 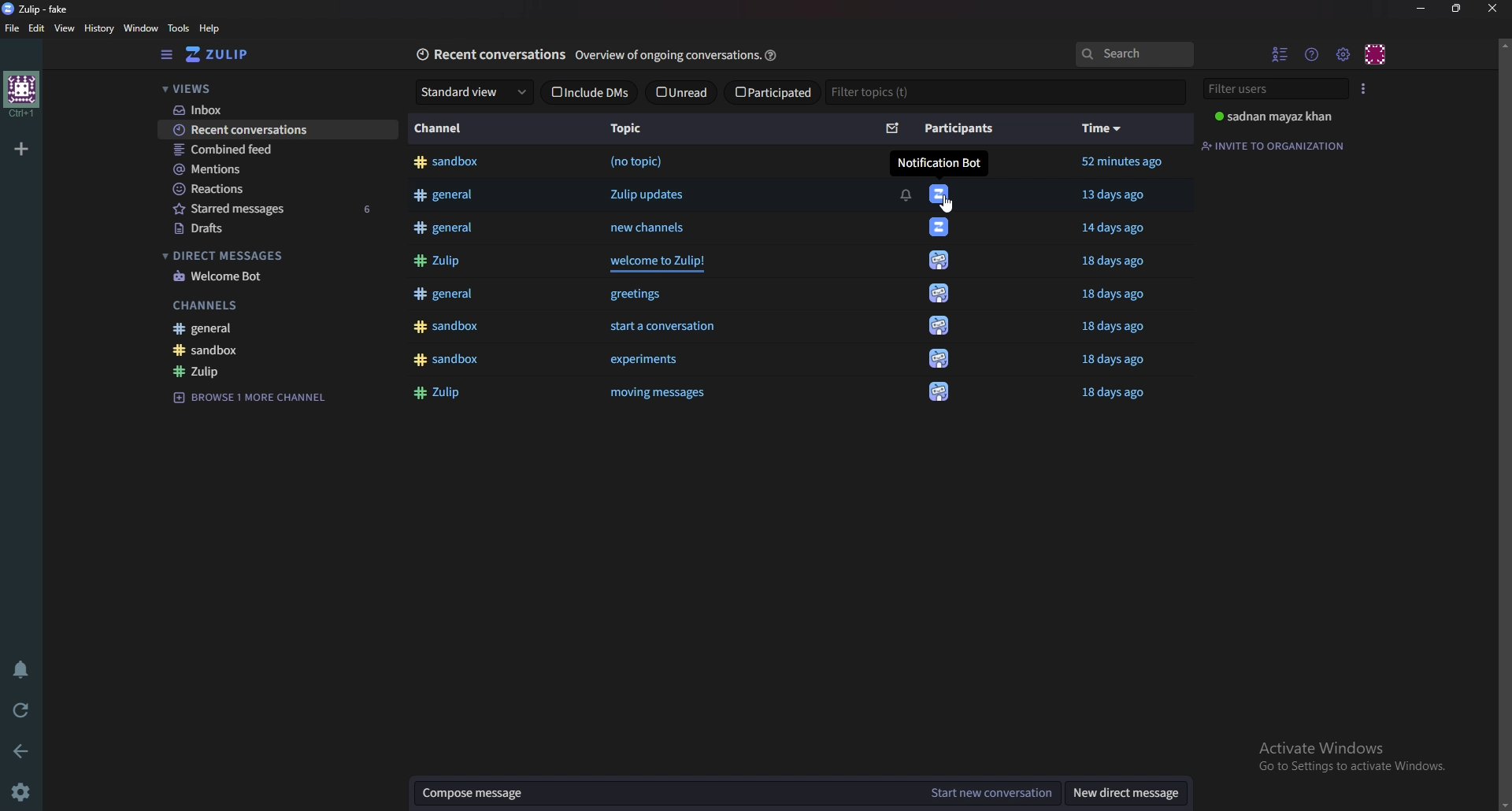 I want to click on Channels, so click(x=254, y=305).